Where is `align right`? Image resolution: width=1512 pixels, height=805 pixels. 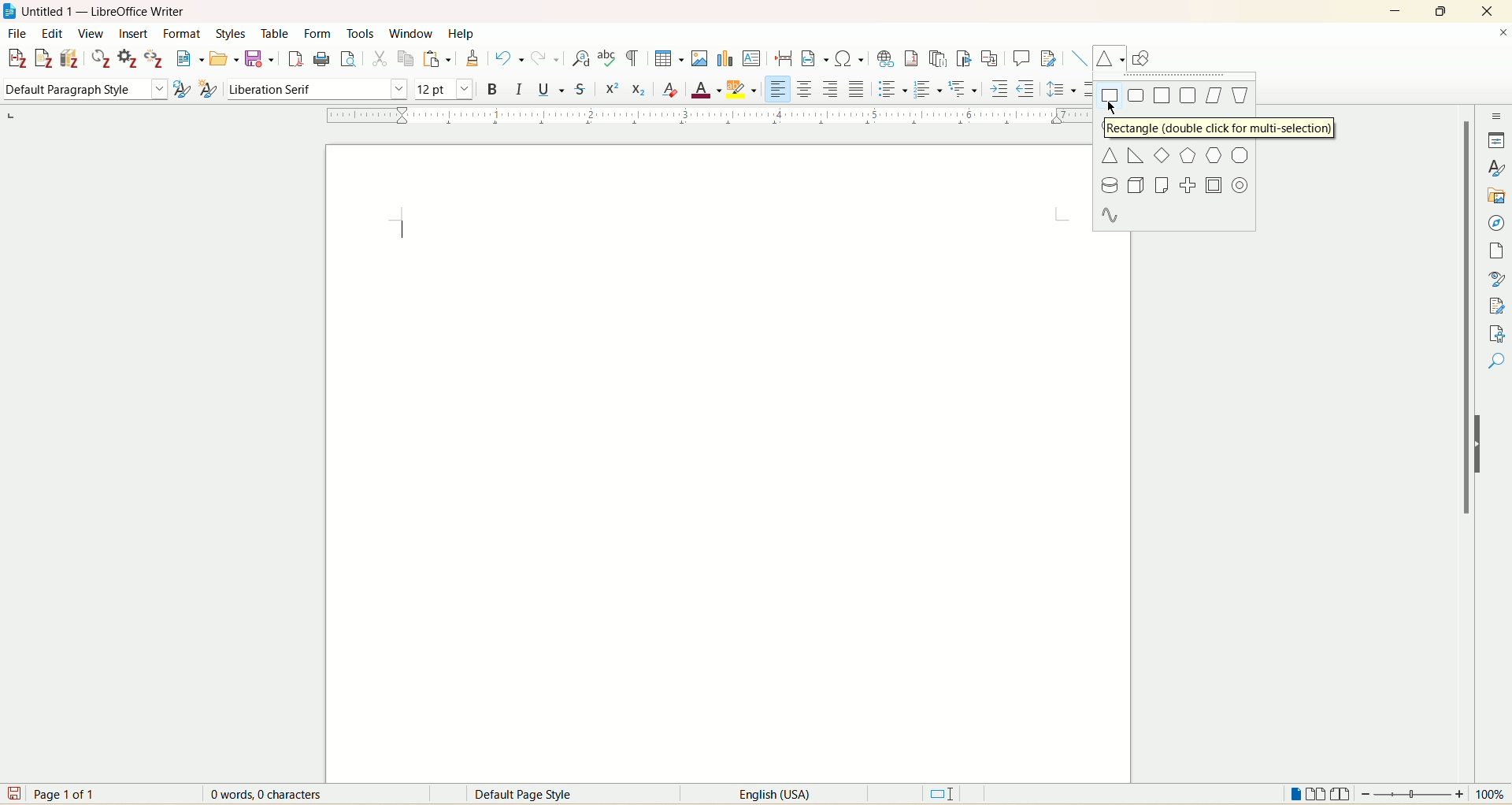 align right is located at coordinates (828, 89).